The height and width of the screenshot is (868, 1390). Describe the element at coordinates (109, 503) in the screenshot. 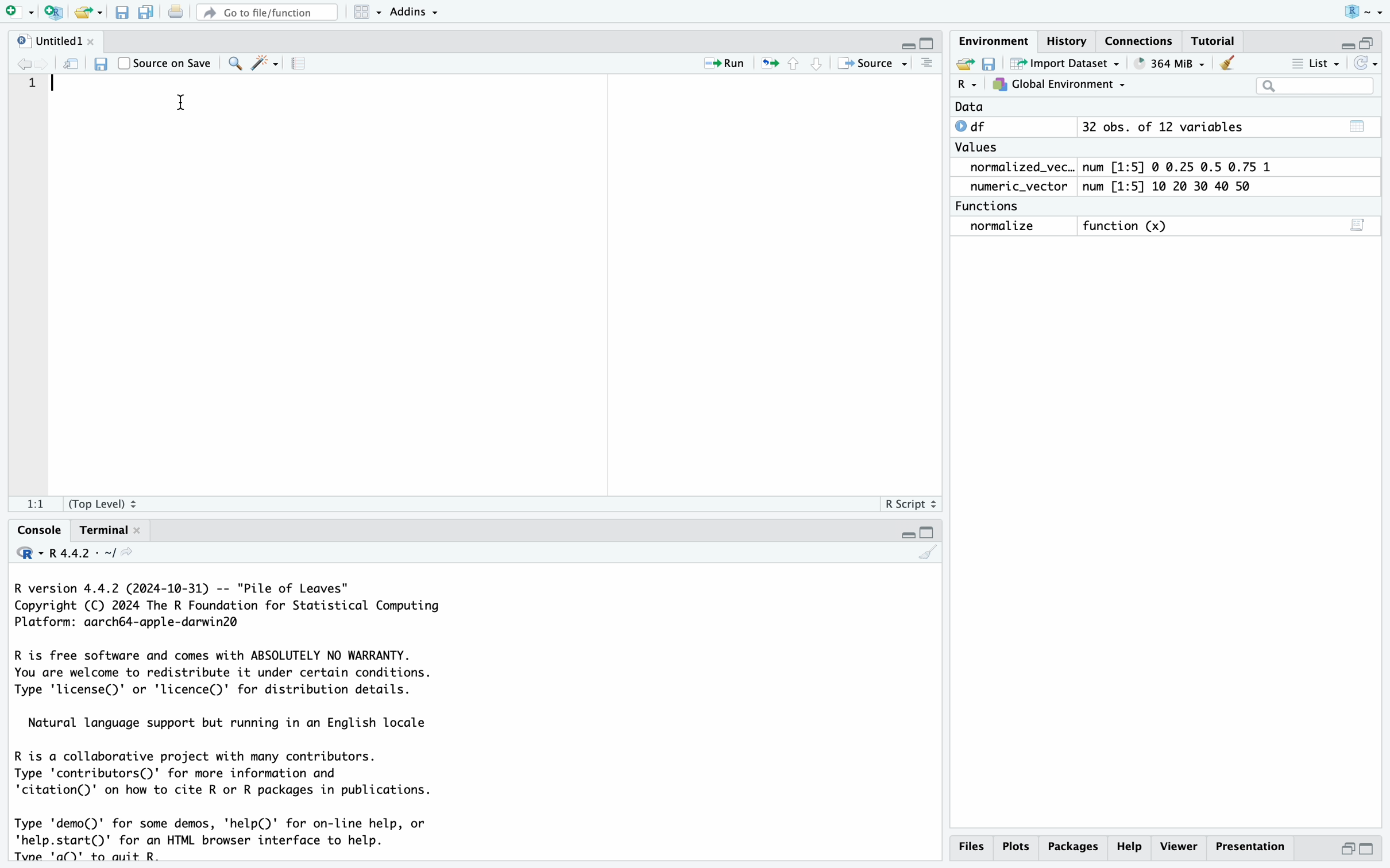

I see `Top Level` at that location.